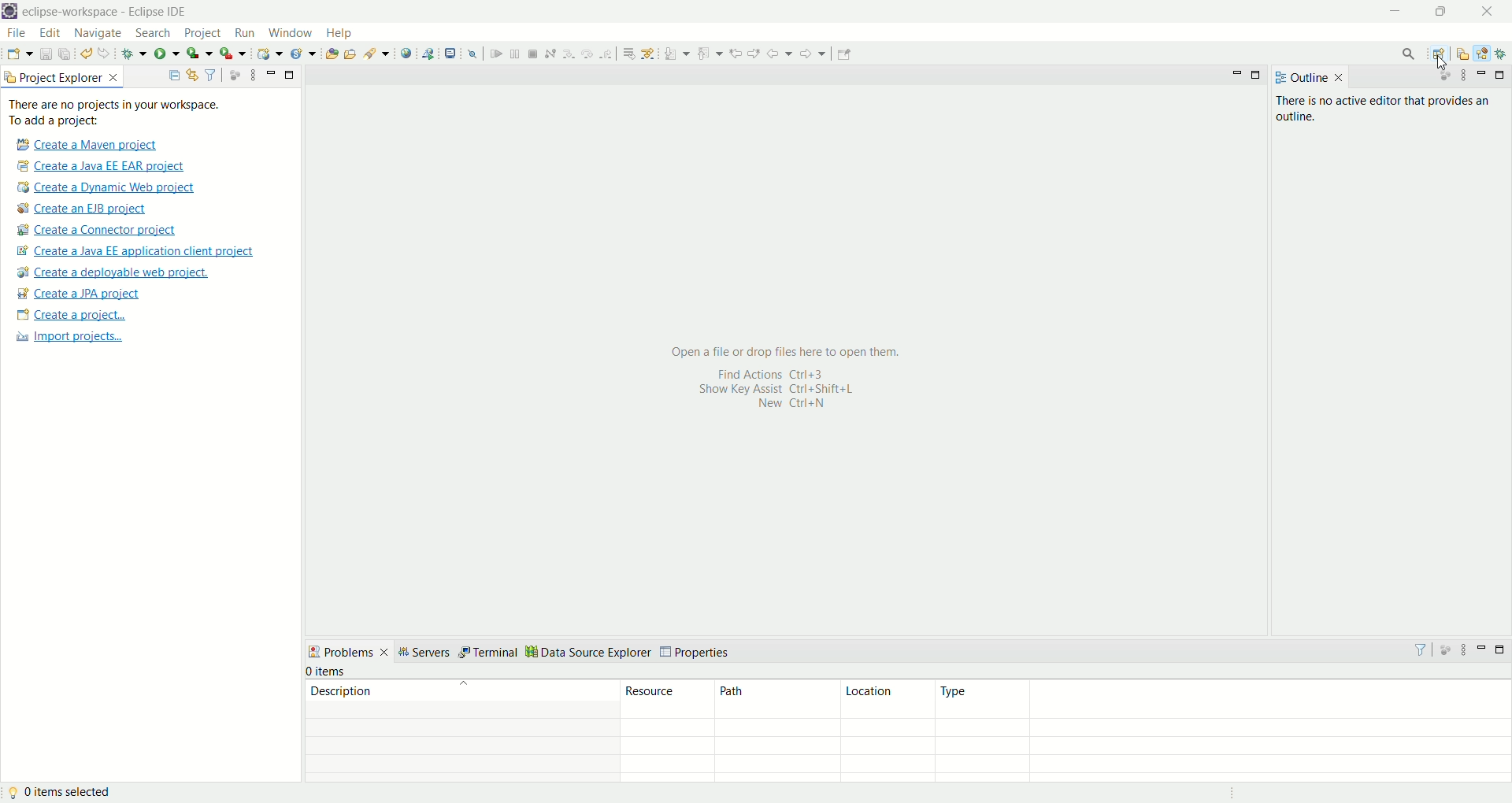  What do you see at coordinates (778, 54) in the screenshot?
I see `back` at bounding box center [778, 54].